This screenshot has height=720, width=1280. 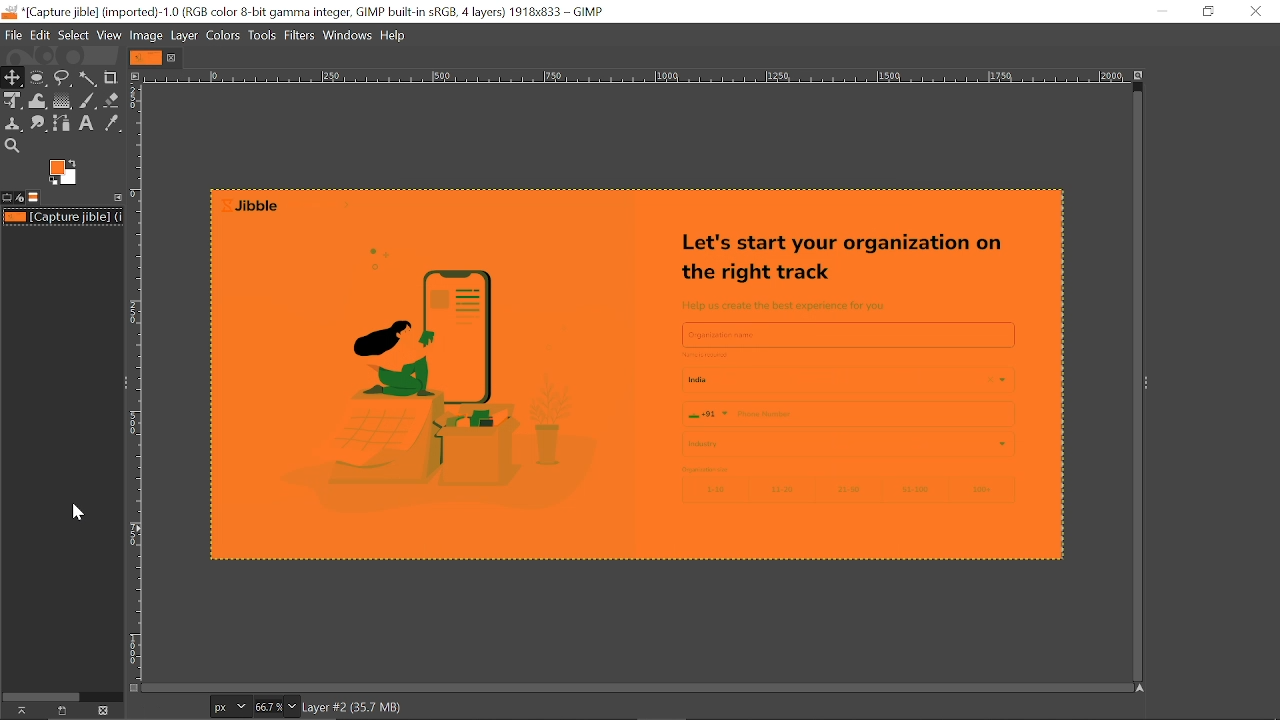 I want to click on Foreground color, so click(x=64, y=173).